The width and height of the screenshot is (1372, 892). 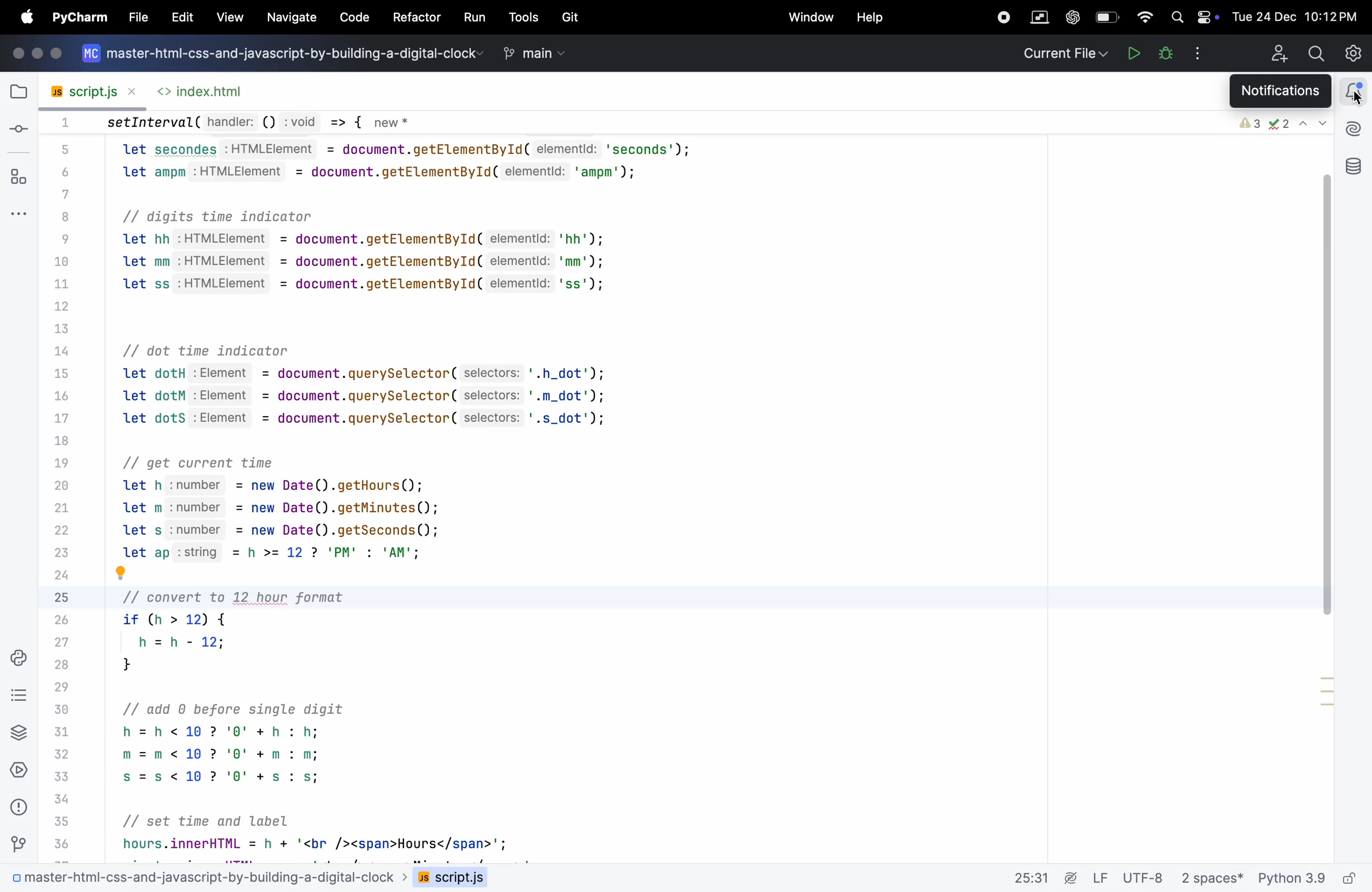 What do you see at coordinates (1041, 16) in the screenshot?
I see `parallel space` at bounding box center [1041, 16].